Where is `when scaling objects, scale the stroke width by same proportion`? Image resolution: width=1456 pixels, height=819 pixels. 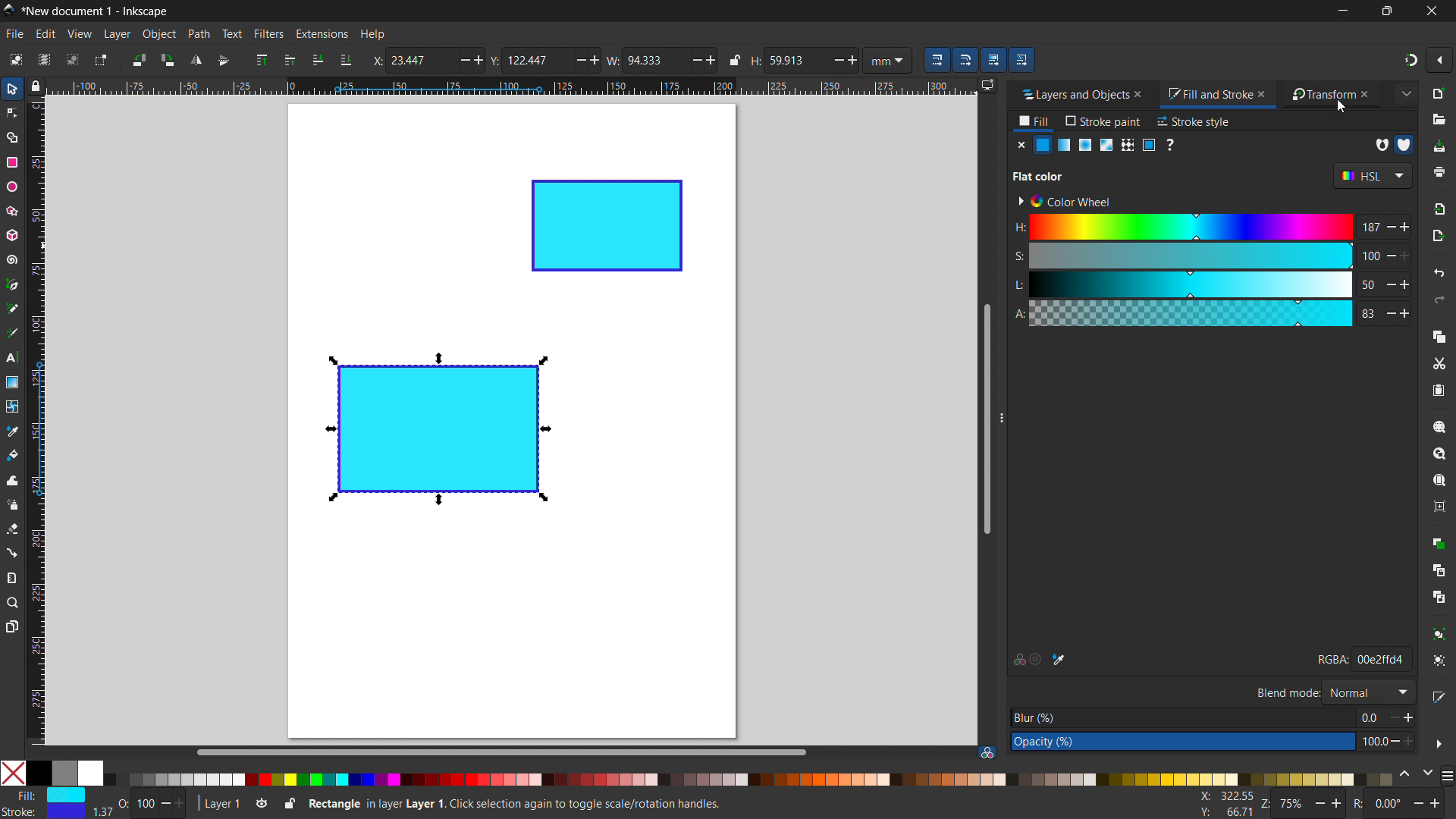
when scaling objects, scale the stroke width by same proportion is located at coordinates (937, 60).